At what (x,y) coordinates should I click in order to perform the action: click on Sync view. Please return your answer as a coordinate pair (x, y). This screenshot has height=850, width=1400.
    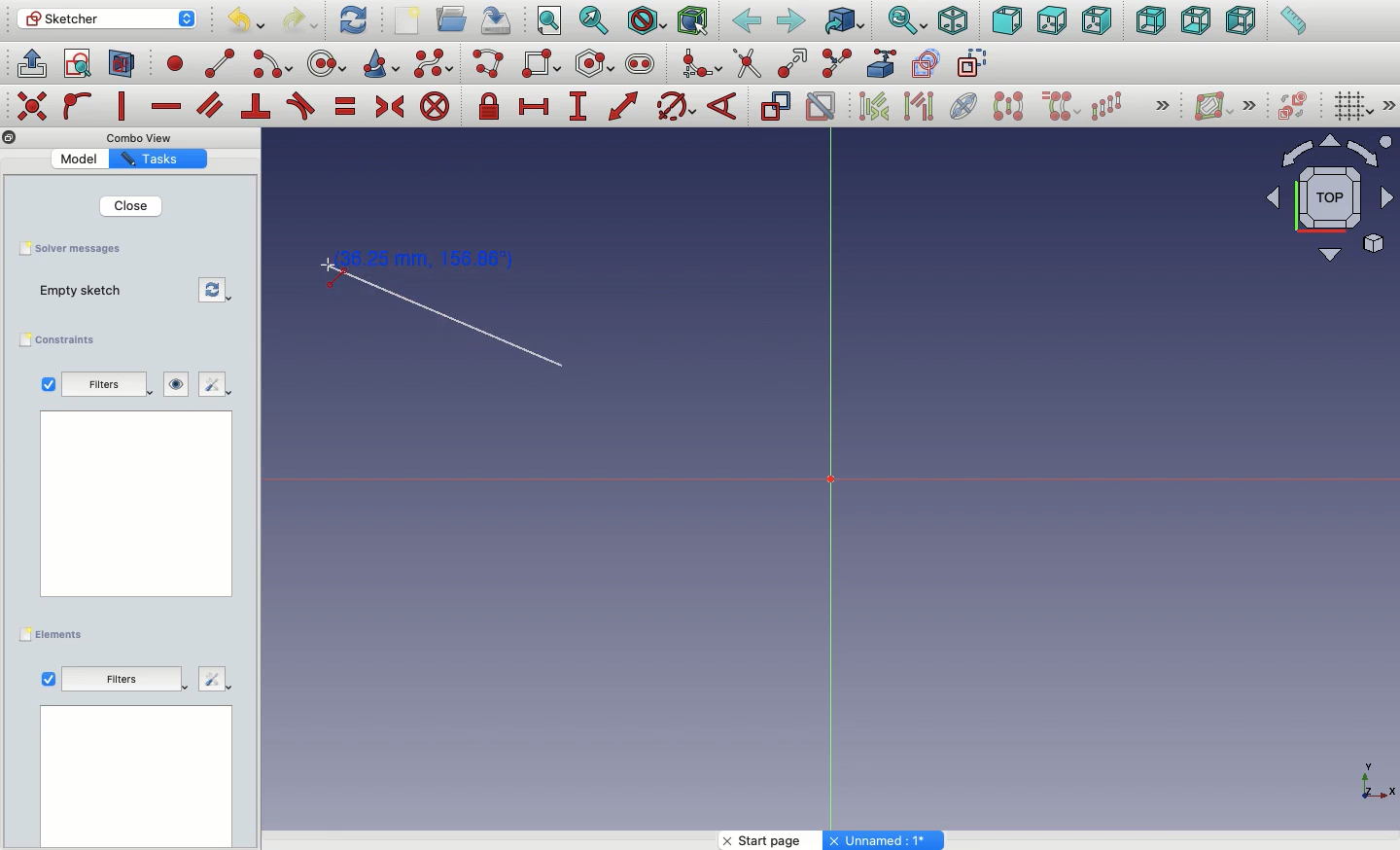
    Looking at the image, I should click on (907, 20).